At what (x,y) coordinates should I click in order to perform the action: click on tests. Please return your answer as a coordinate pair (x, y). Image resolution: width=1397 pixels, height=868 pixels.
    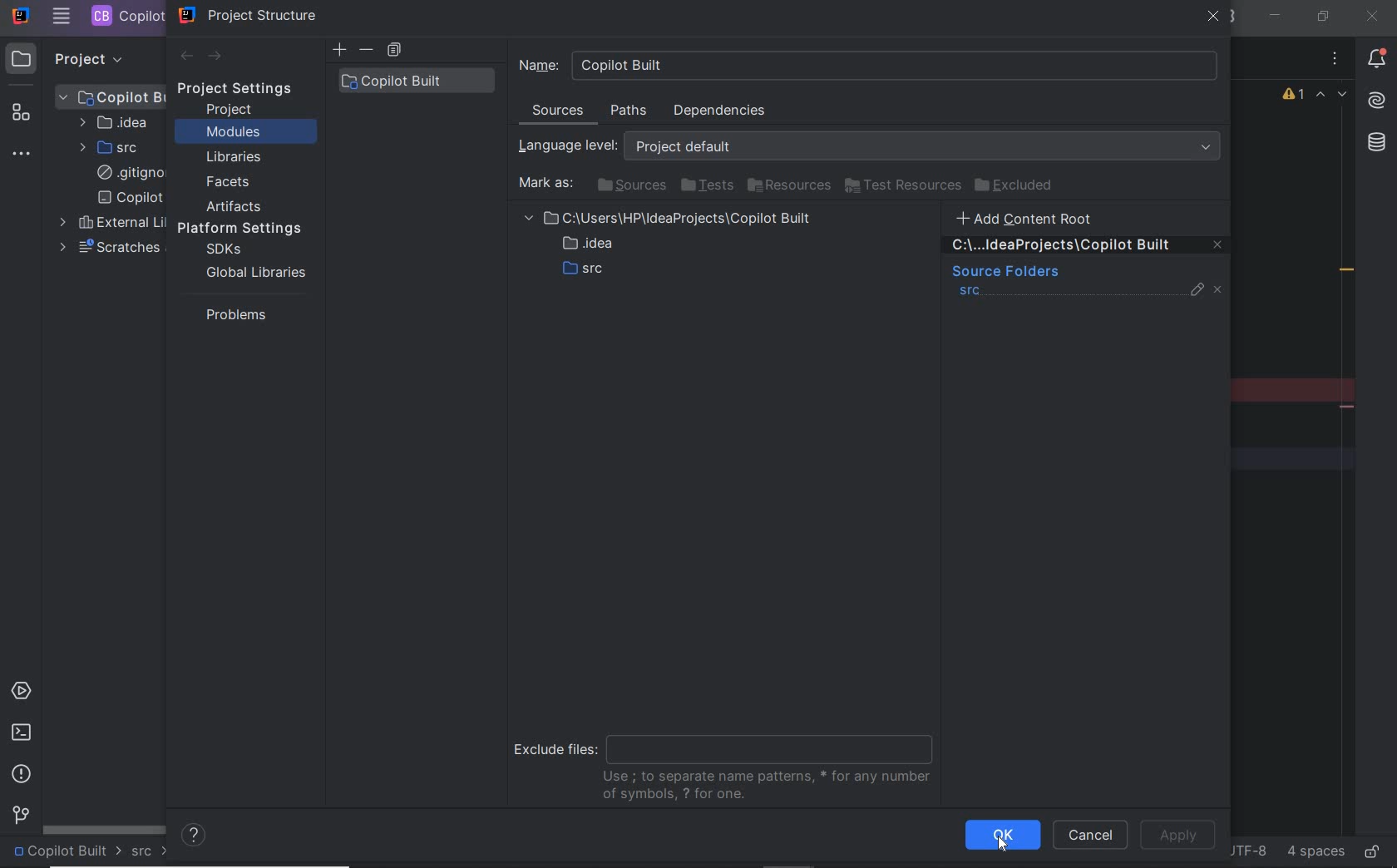
    Looking at the image, I should click on (707, 186).